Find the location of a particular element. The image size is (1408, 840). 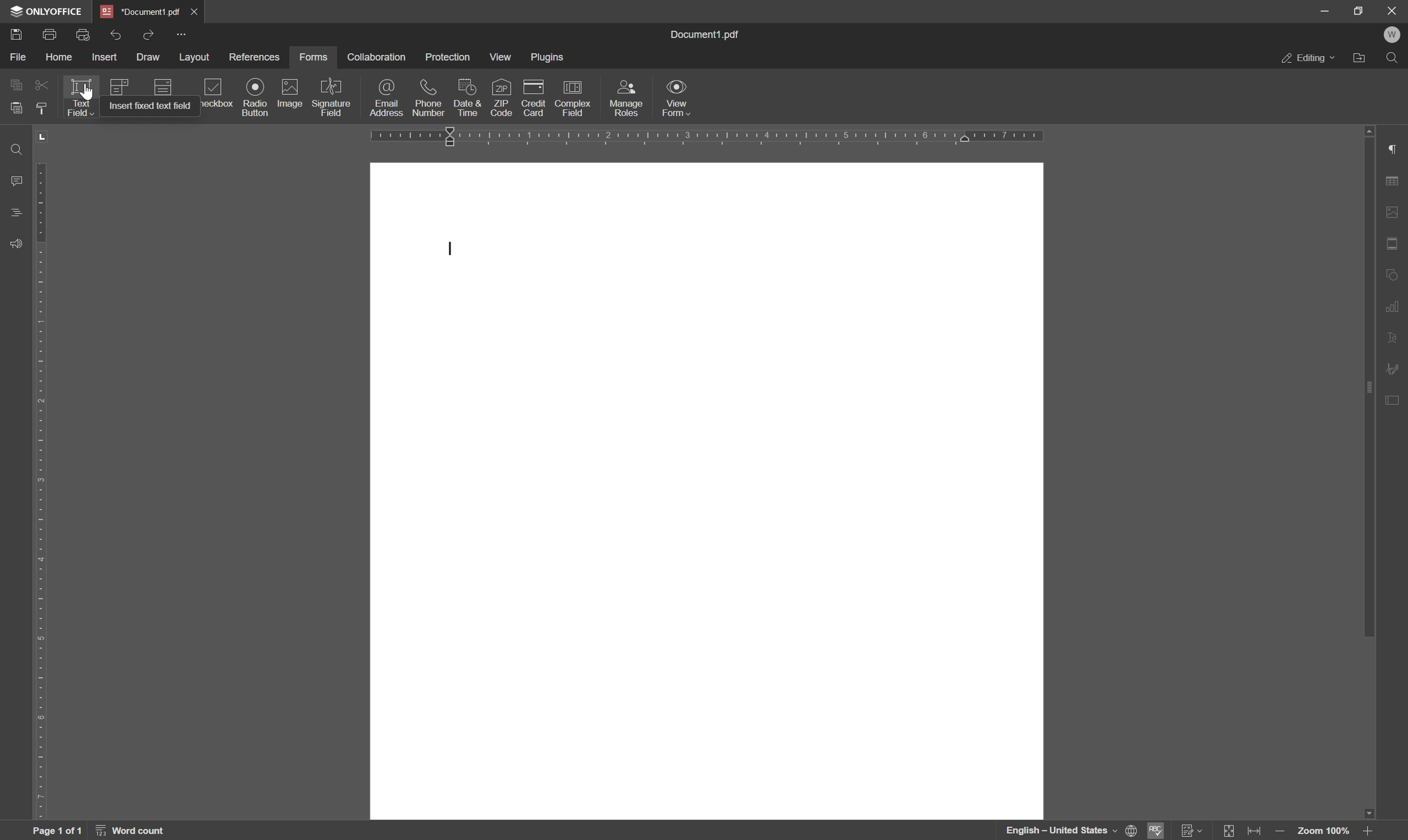

table settings is located at coordinates (1394, 181).